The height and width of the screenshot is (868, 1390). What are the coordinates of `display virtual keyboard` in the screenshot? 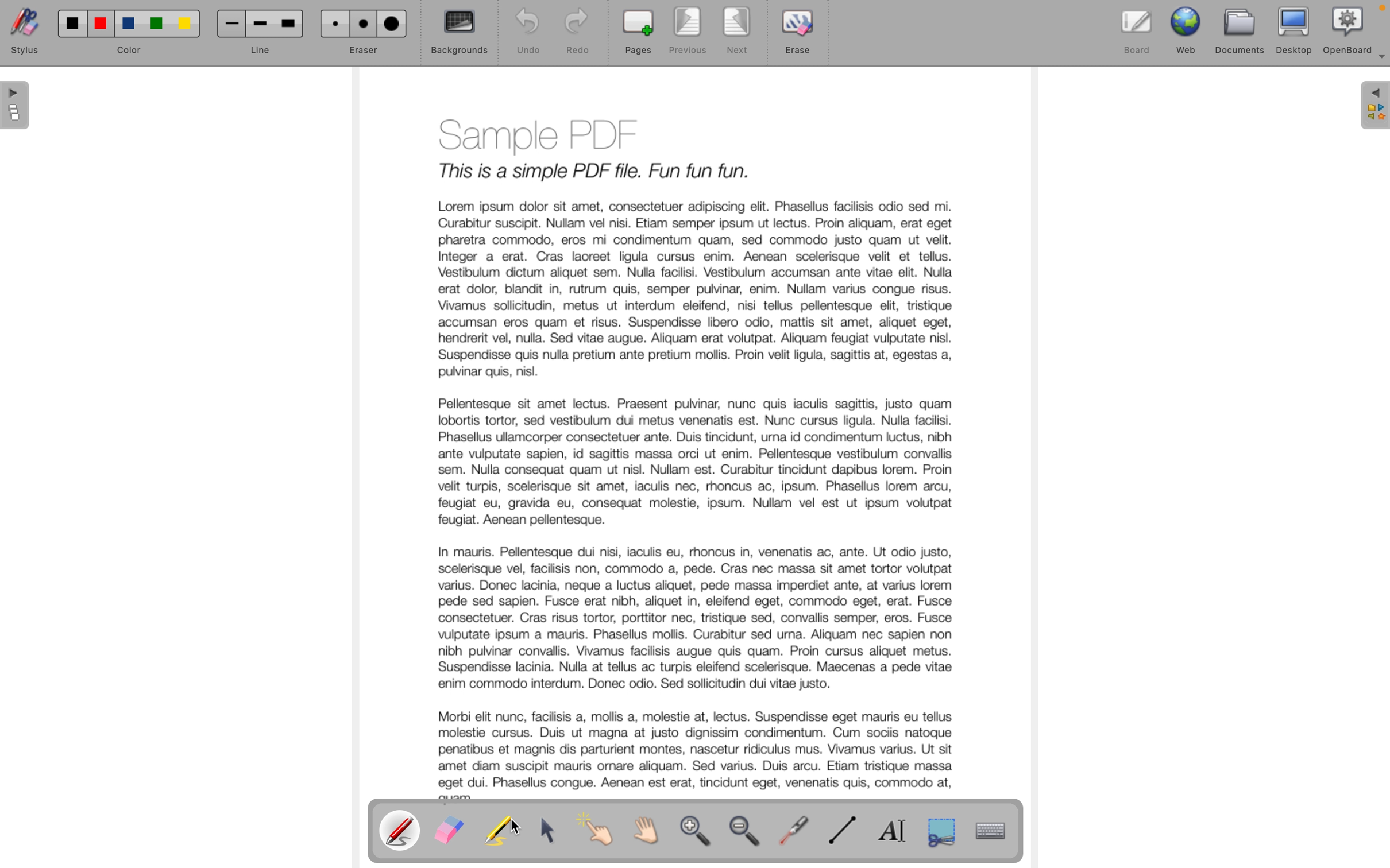 It's located at (1001, 831).